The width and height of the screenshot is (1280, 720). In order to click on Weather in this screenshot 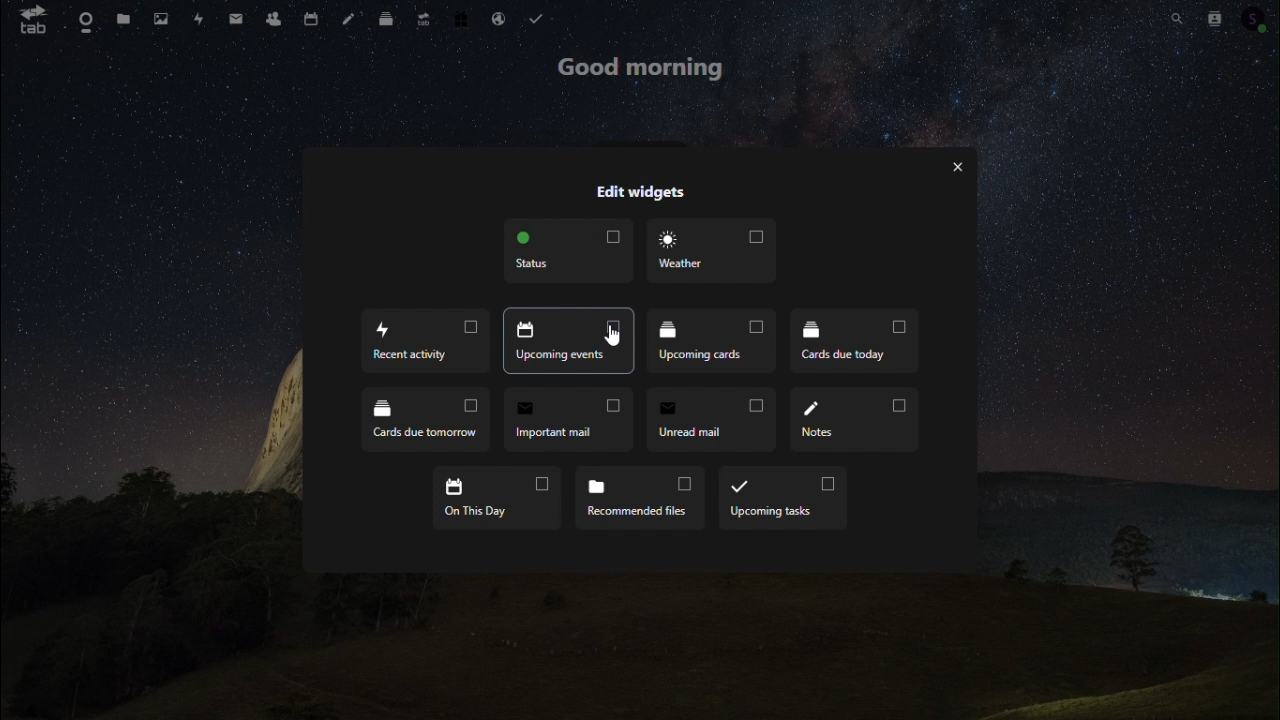, I will do `click(707, 249)`.